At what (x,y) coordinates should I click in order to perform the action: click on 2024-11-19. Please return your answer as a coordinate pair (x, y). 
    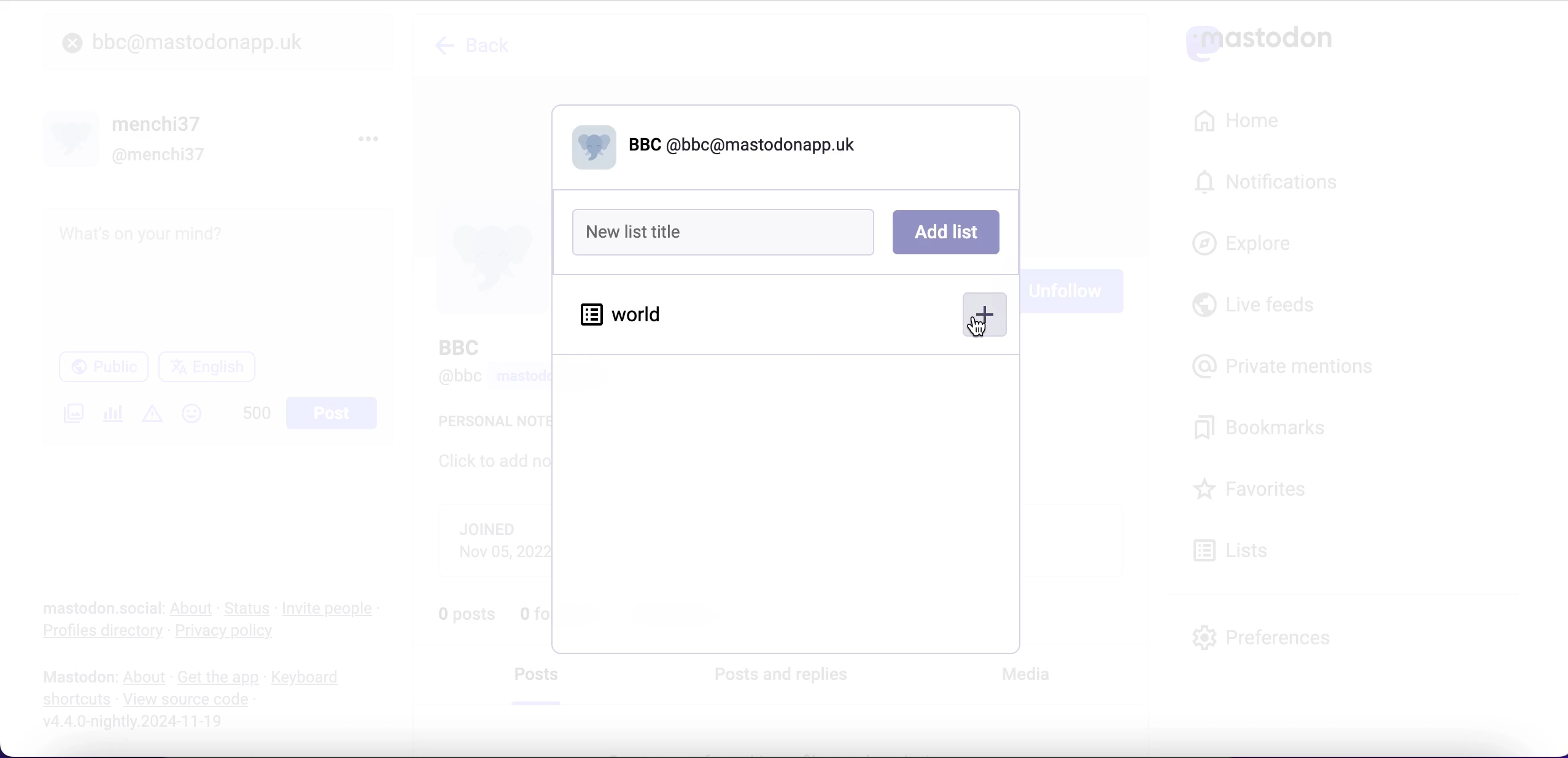
    Looking at the image, I should click on (142, 721).